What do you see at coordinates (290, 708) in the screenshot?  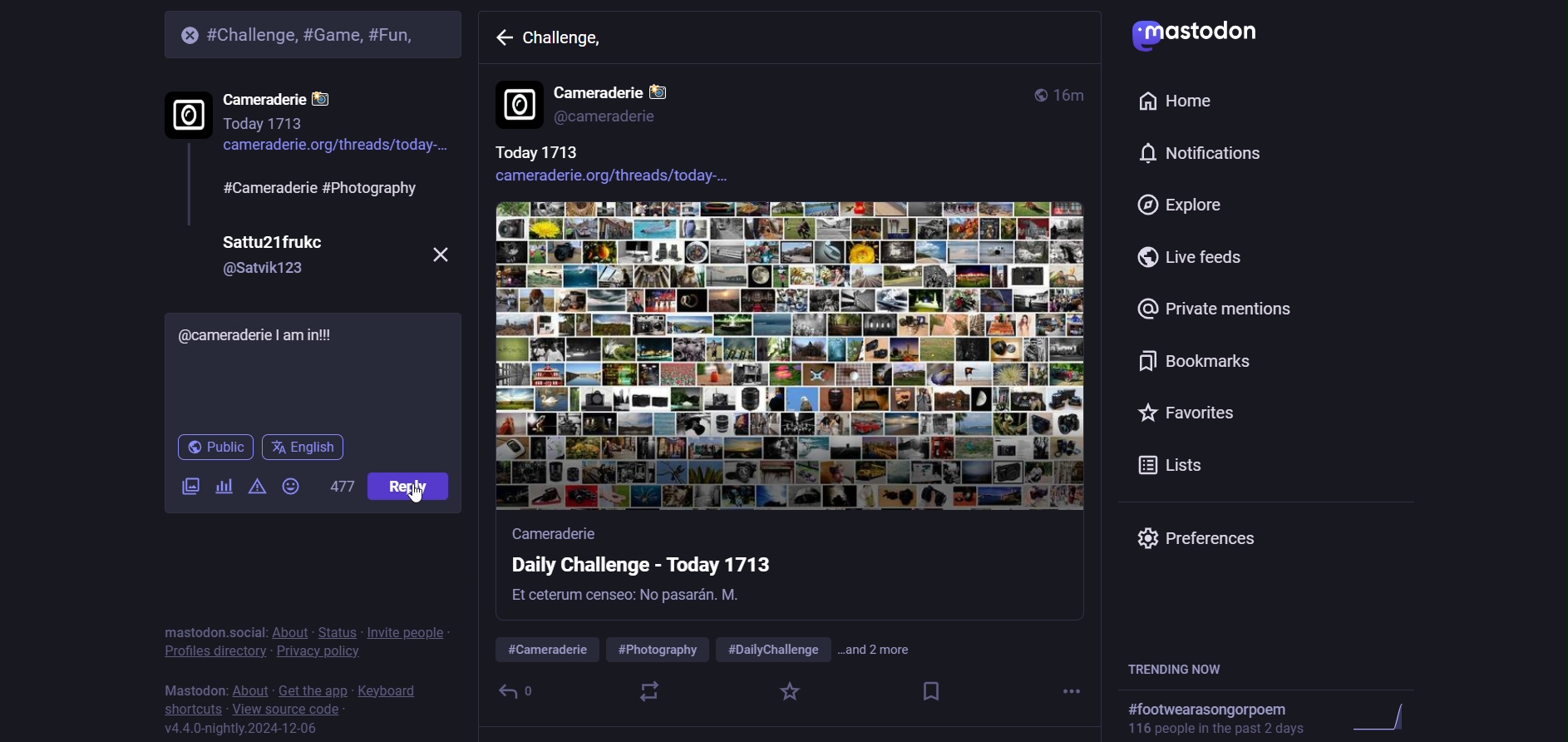 I see `view source code` at bounding box center [290, 708].